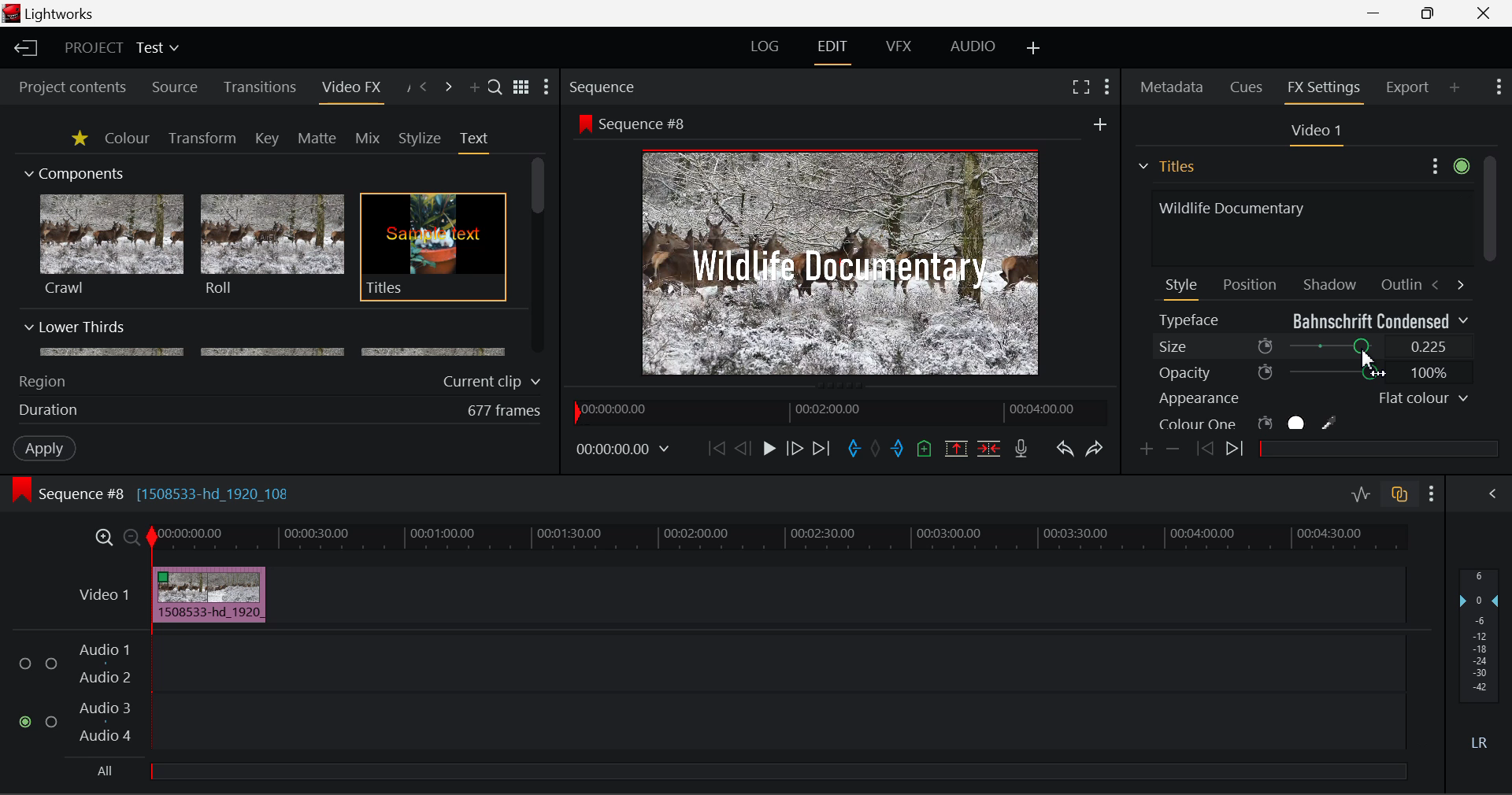 The image size is (1512, 795). Describe the element at coordinates (112, 245) in the screenshot. I see `Crawl` at that location.